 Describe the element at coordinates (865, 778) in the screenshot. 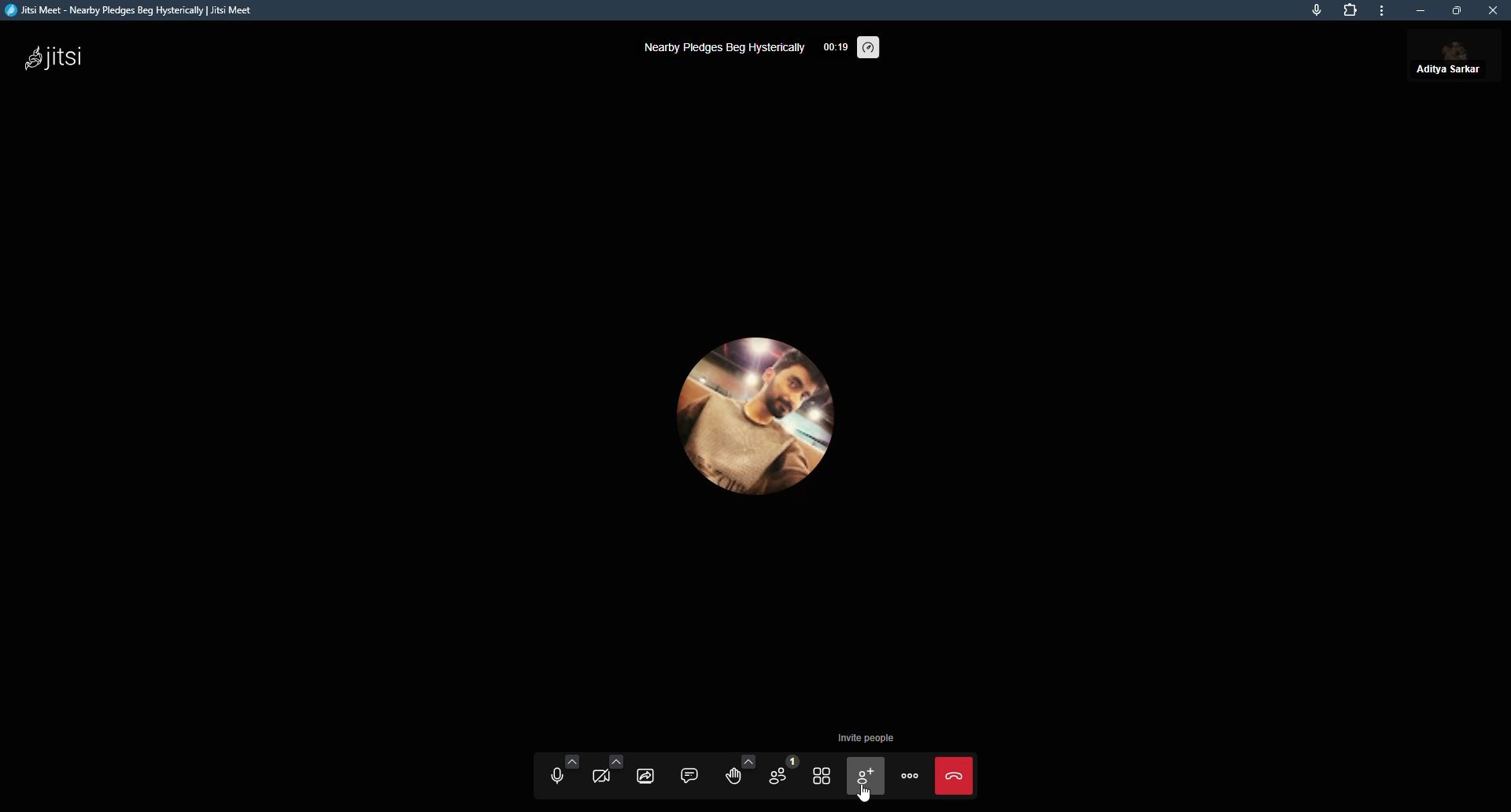

I see `invite people` at that location.